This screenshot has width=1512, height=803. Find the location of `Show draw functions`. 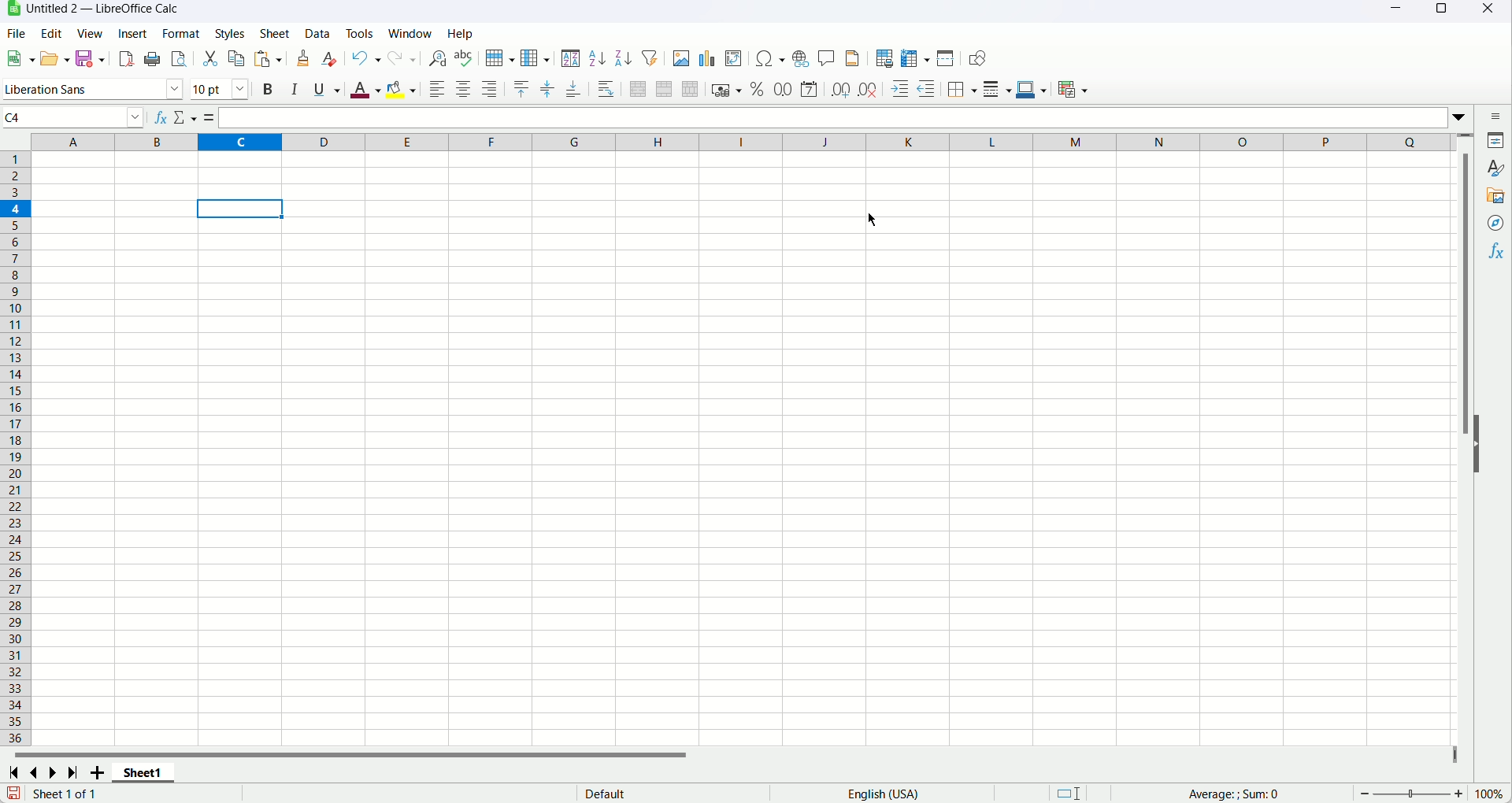

Show draw functions is located at coordinates (980, 58).